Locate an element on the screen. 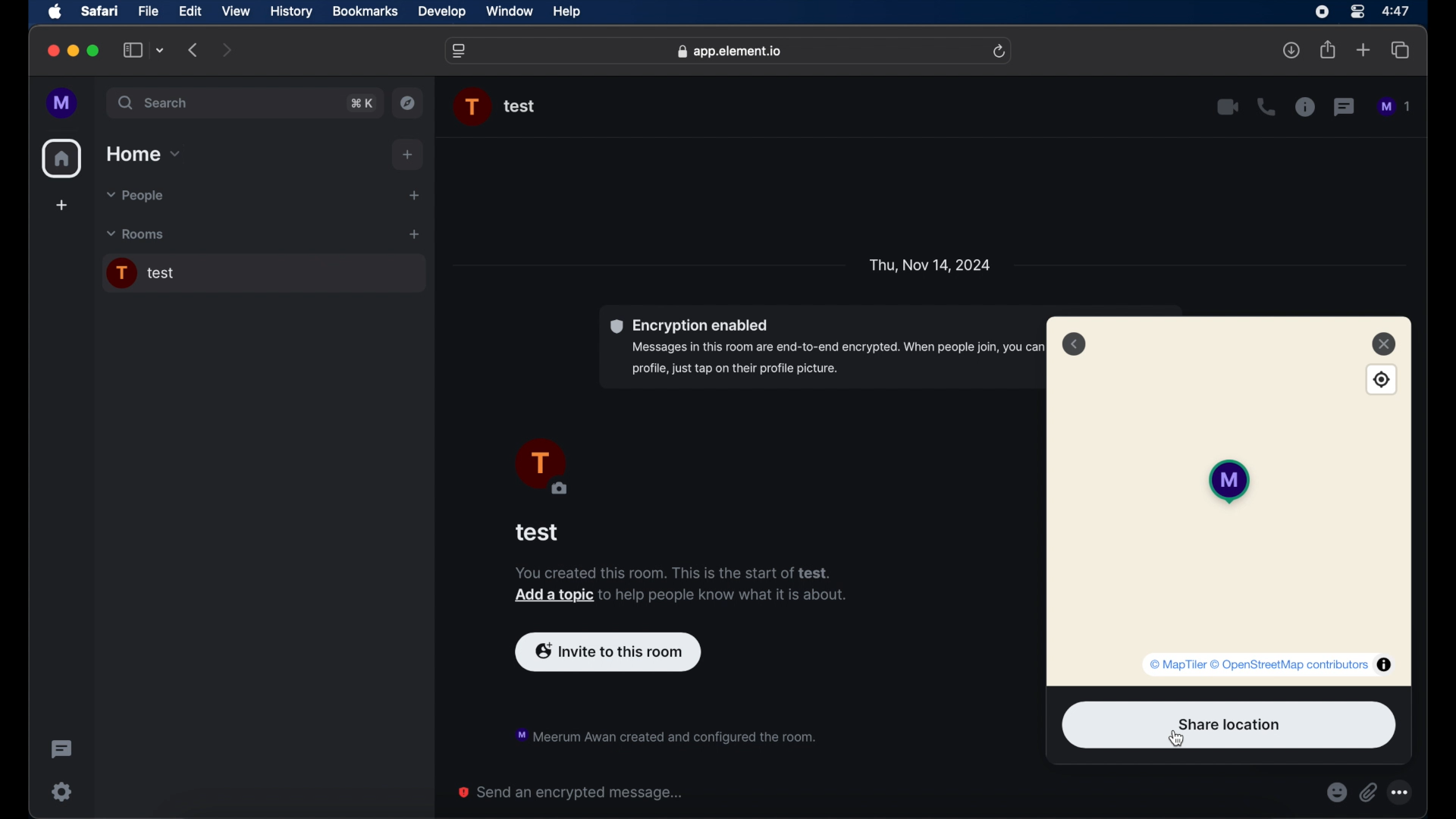 The height and width of the screenshot is (819, 1456). tab group  picker is located at coordinates (160, 51).